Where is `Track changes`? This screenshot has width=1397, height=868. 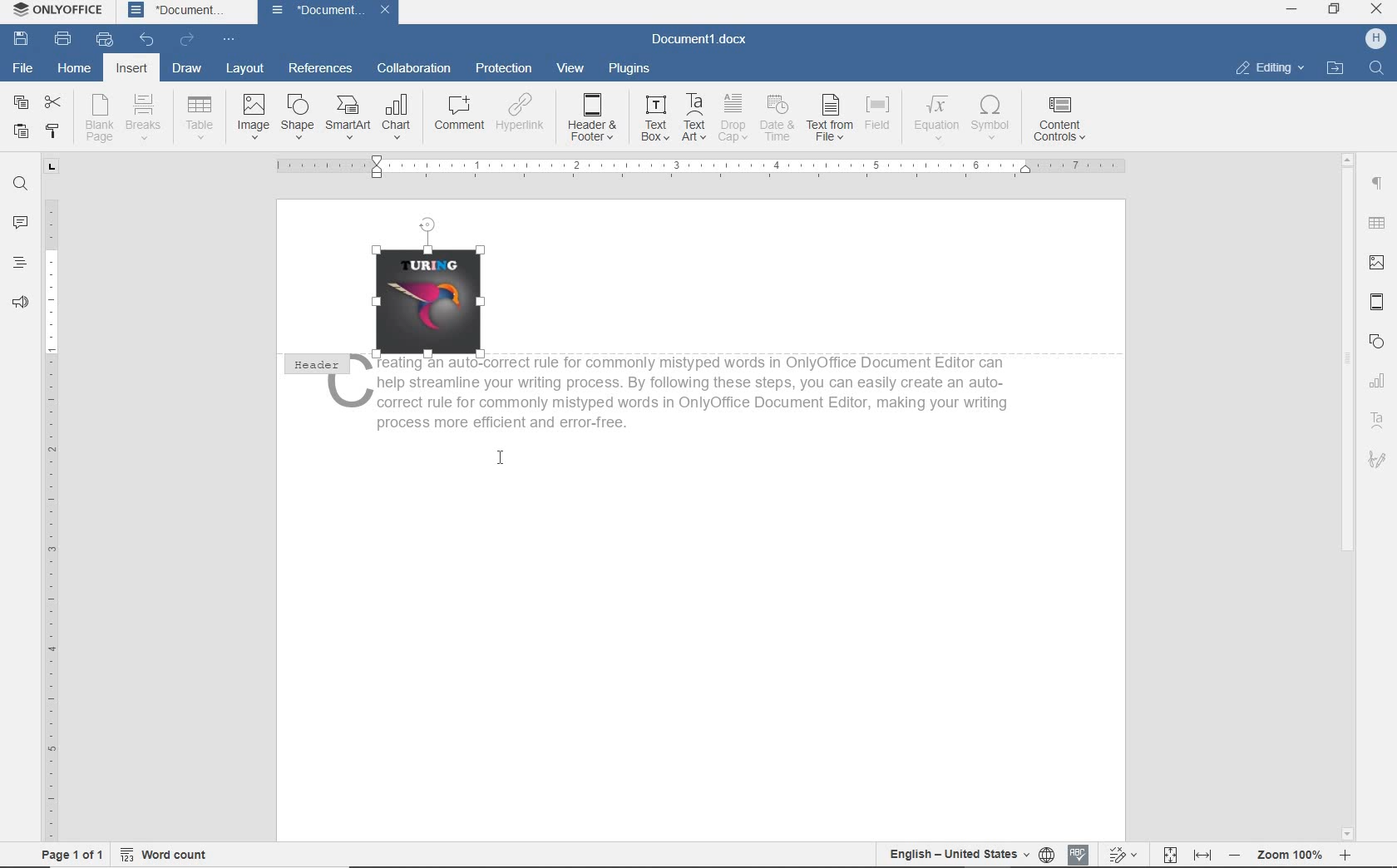 Track changes is located at coordinates (1122, 854).